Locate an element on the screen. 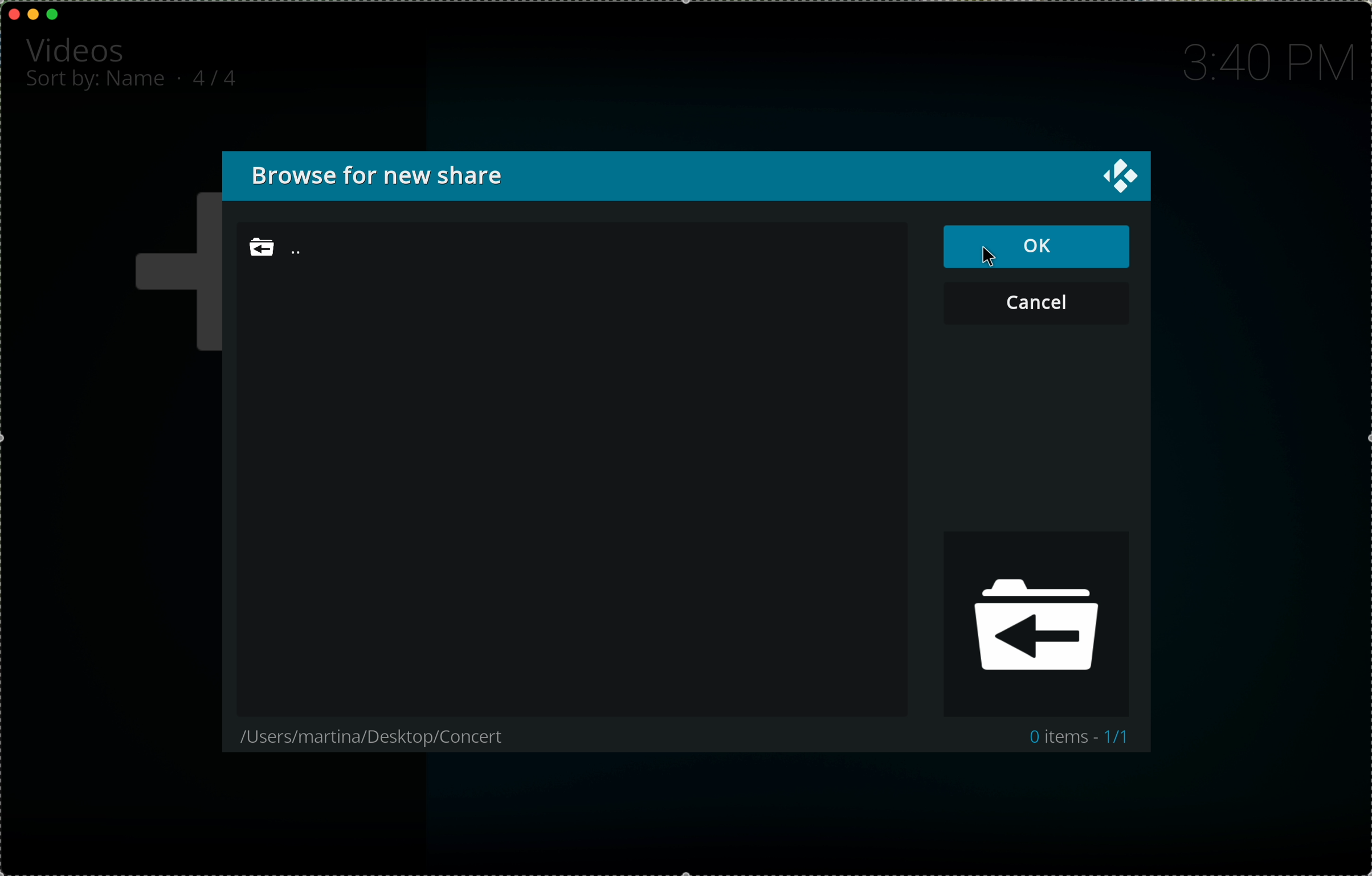 The height and width of the screenshot is (876, 1372). 4/4 is located at coordinates (220, 76).